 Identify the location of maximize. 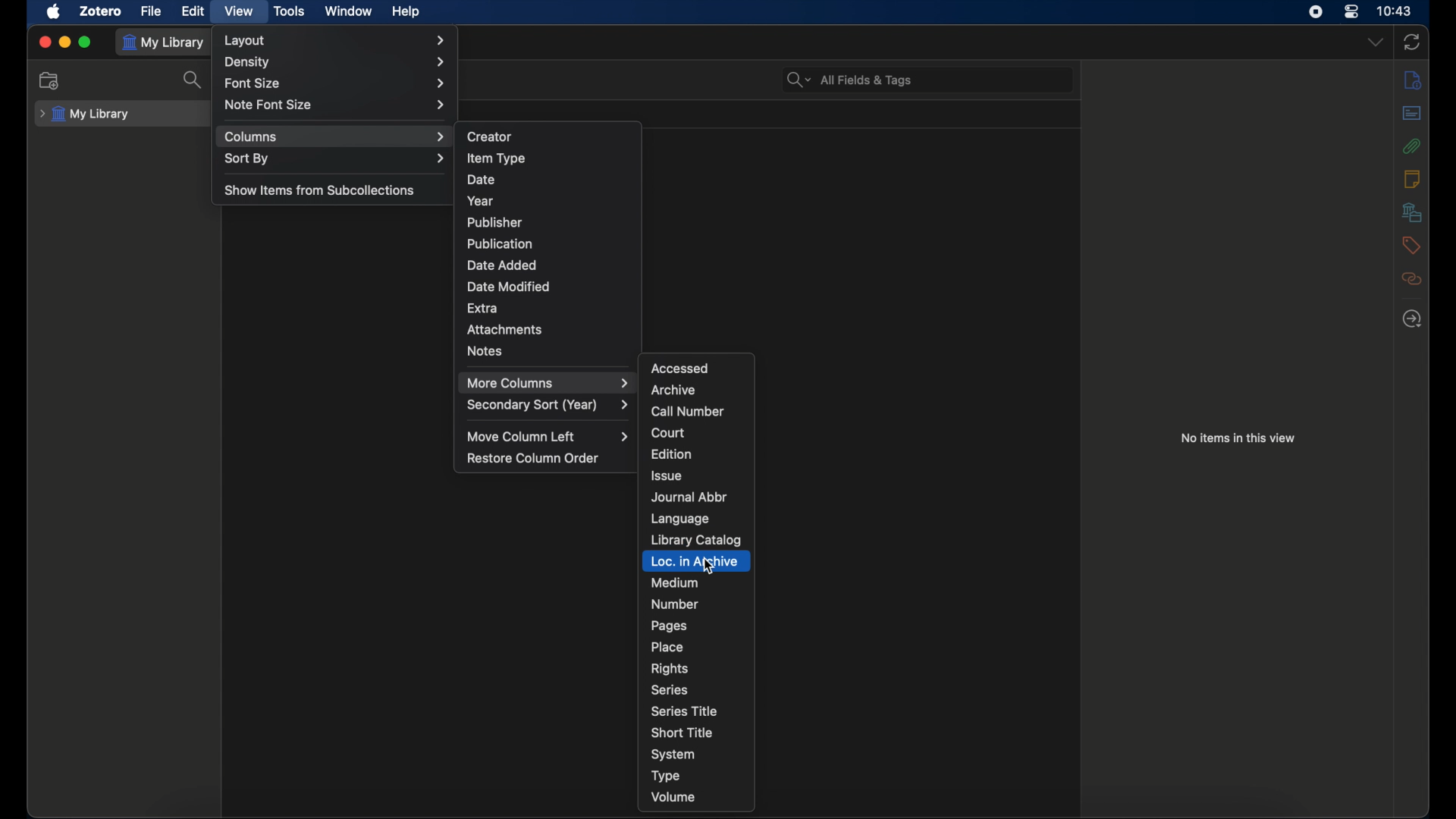
(86, 42).